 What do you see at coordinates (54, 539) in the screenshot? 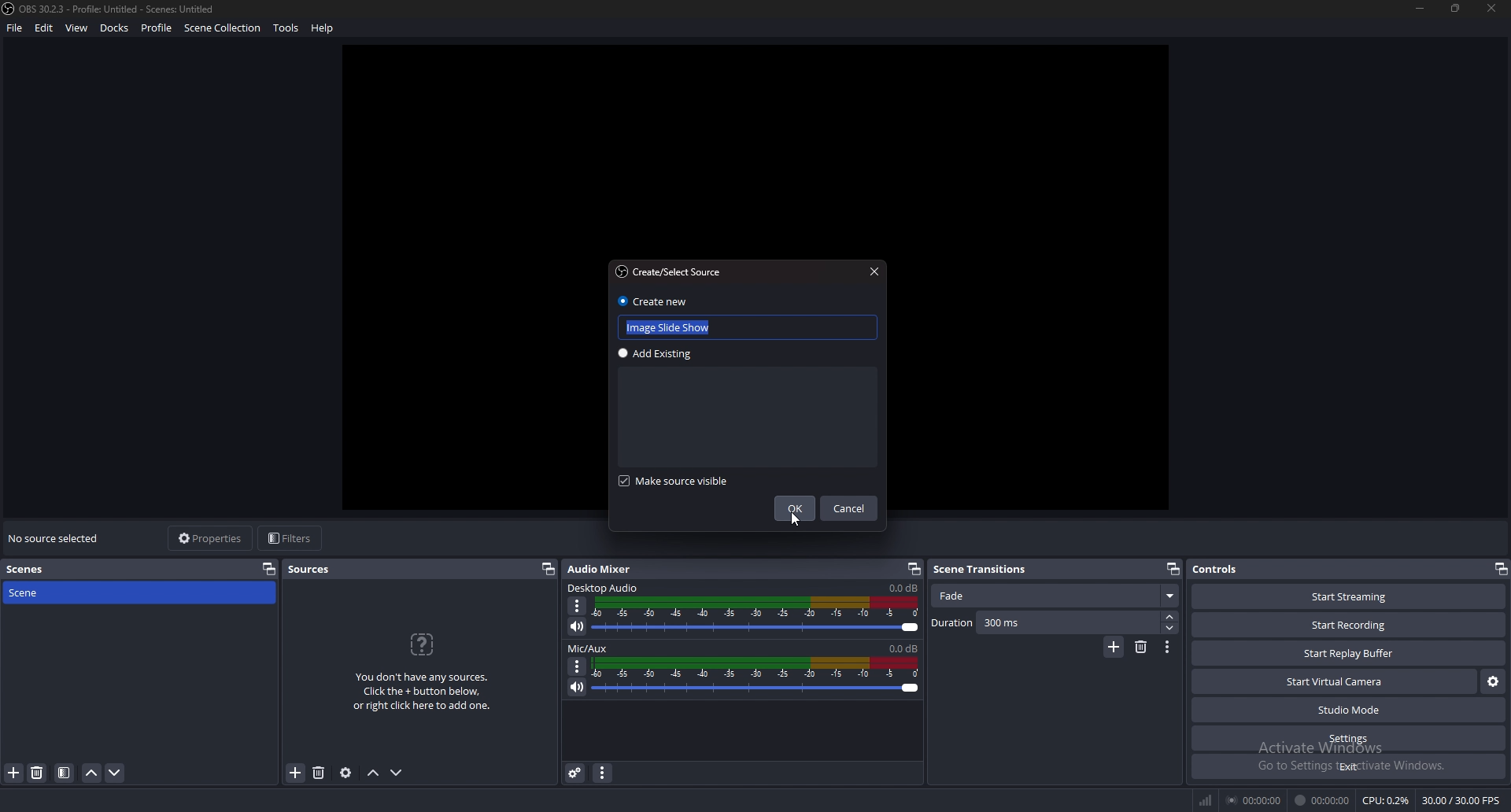
I see `no source selected` at bounding box center [54, 539].